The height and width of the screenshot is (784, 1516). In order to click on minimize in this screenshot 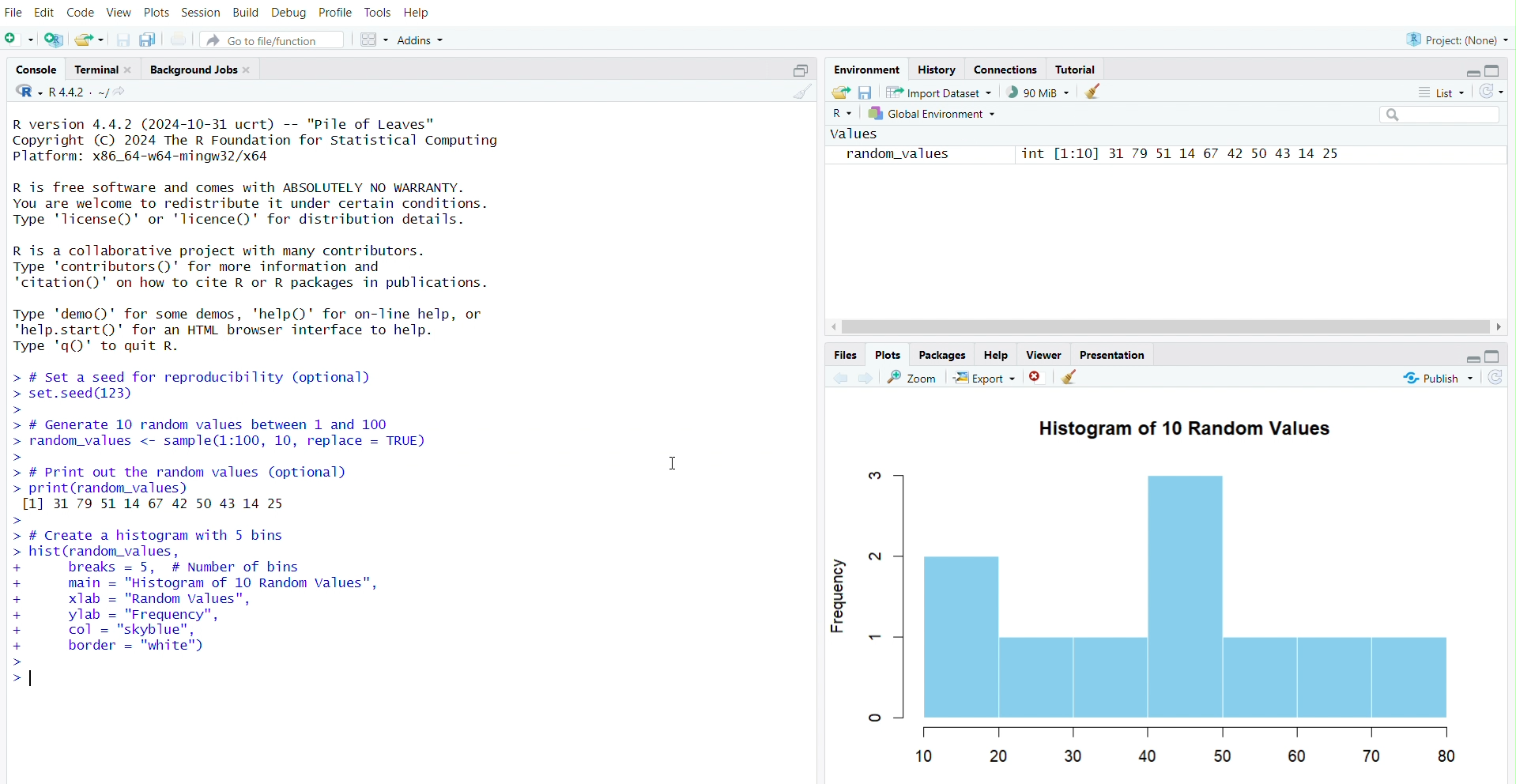, I will do `click(1465, 70)`.